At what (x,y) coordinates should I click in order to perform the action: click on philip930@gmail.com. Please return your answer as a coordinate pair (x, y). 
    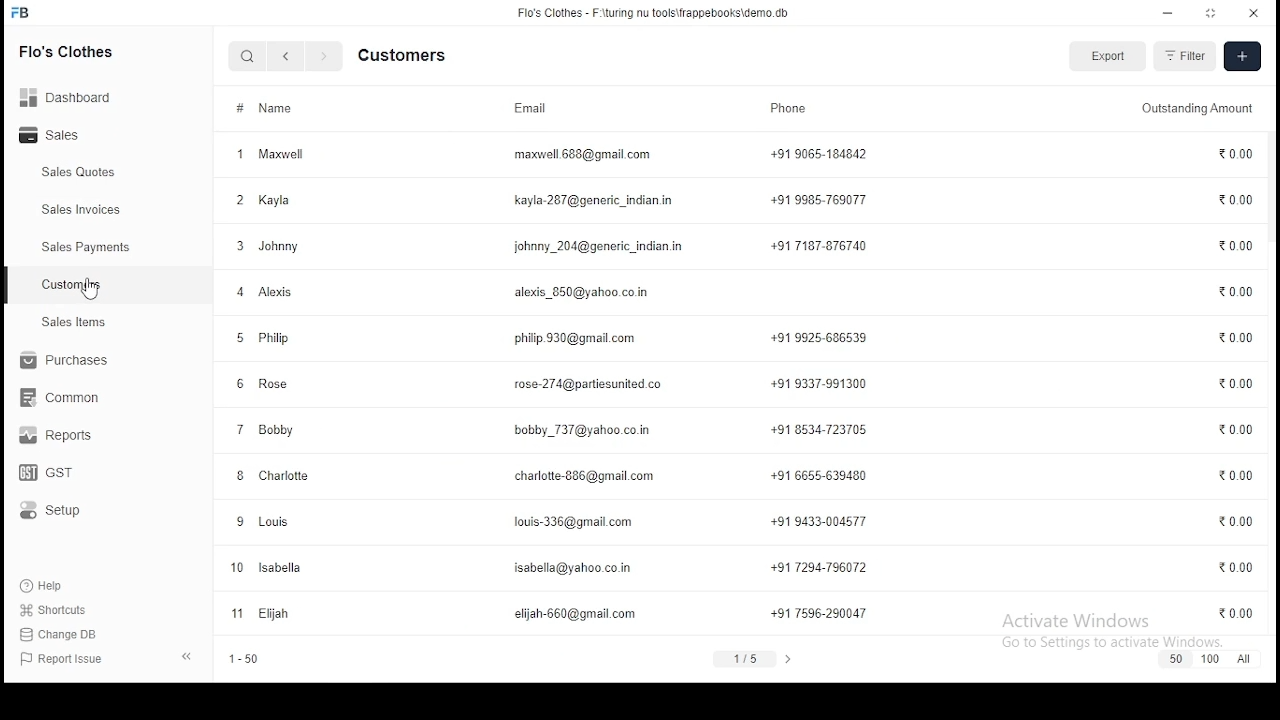
    Looking at the image, I should click on (579, 338).